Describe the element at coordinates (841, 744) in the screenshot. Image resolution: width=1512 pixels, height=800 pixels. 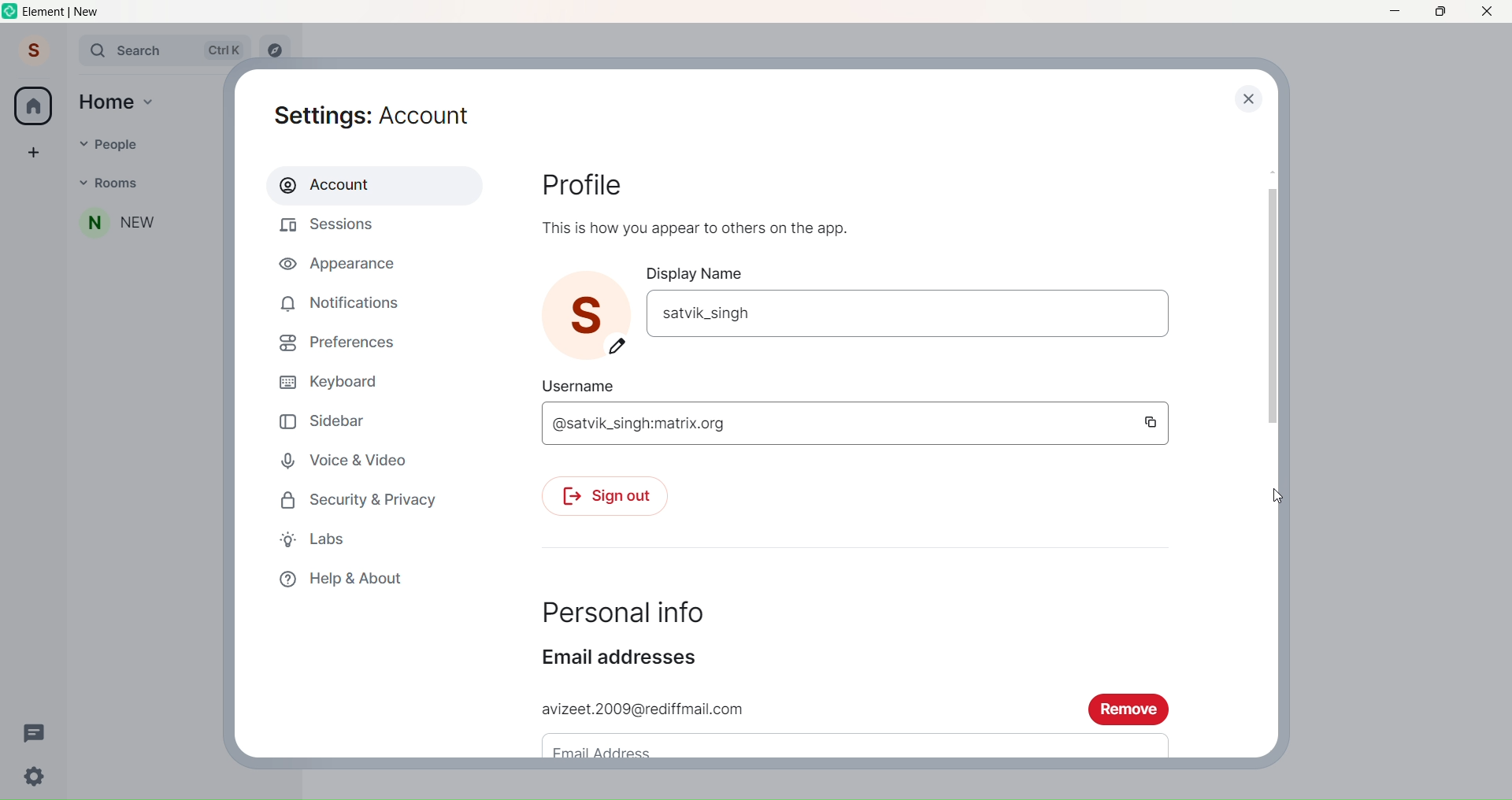
I see `Email ID place` at that location.